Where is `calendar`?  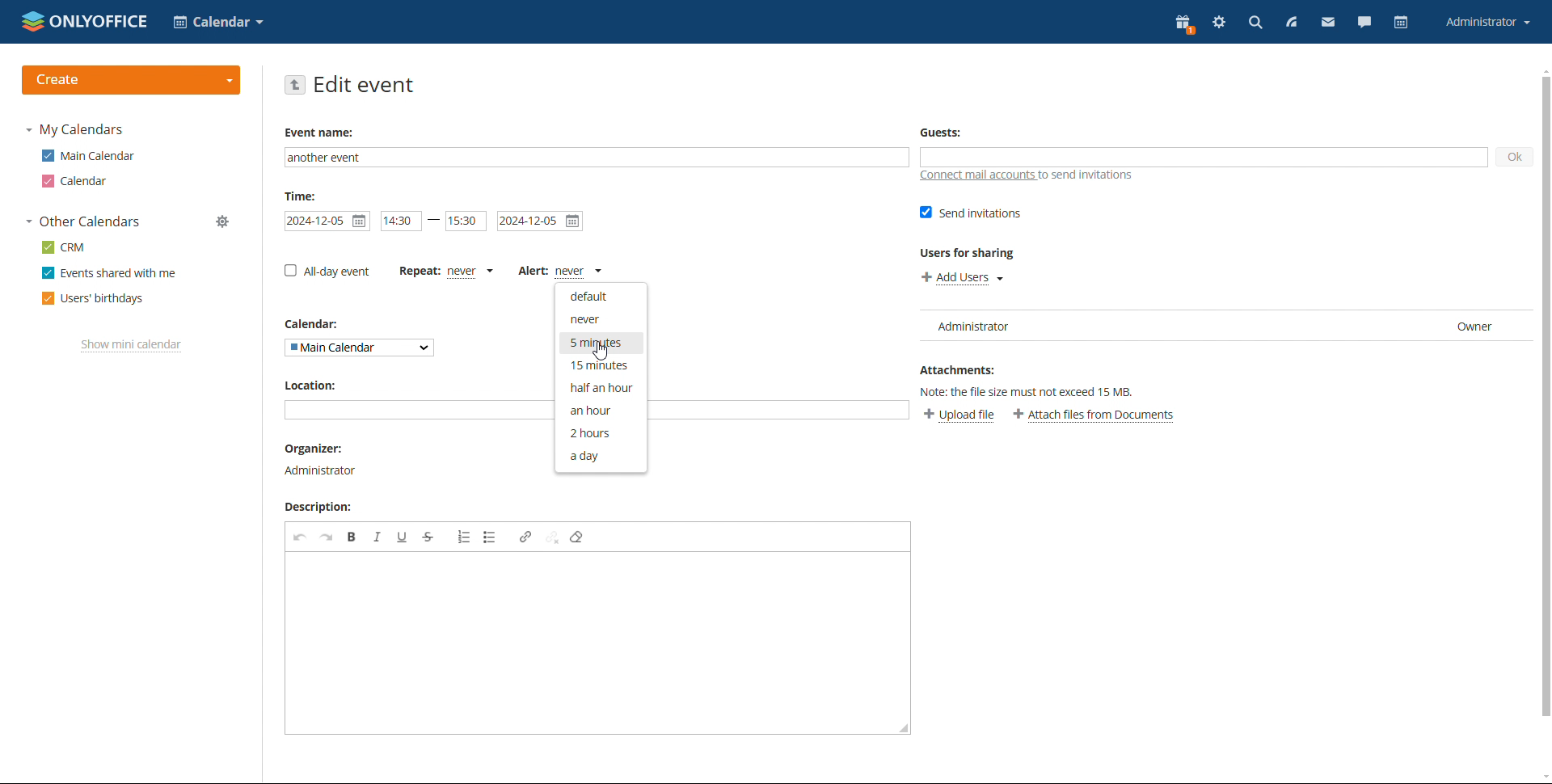 calendar is located at coordinates (1402, 23).